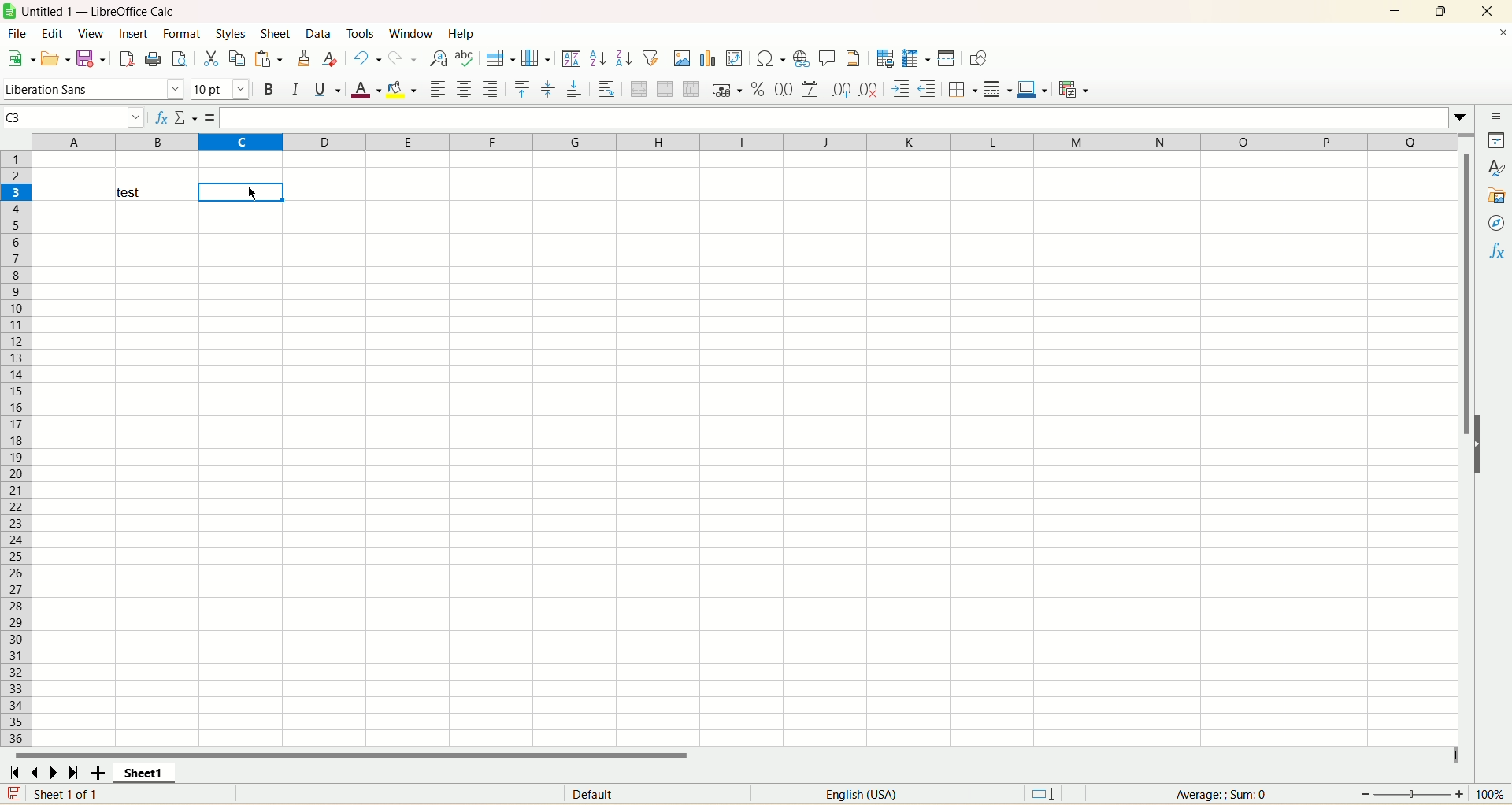 The image size is (1512, 805). Describe the element at coordinates (1488, 11) in the screenshot. I see `close` at that location.